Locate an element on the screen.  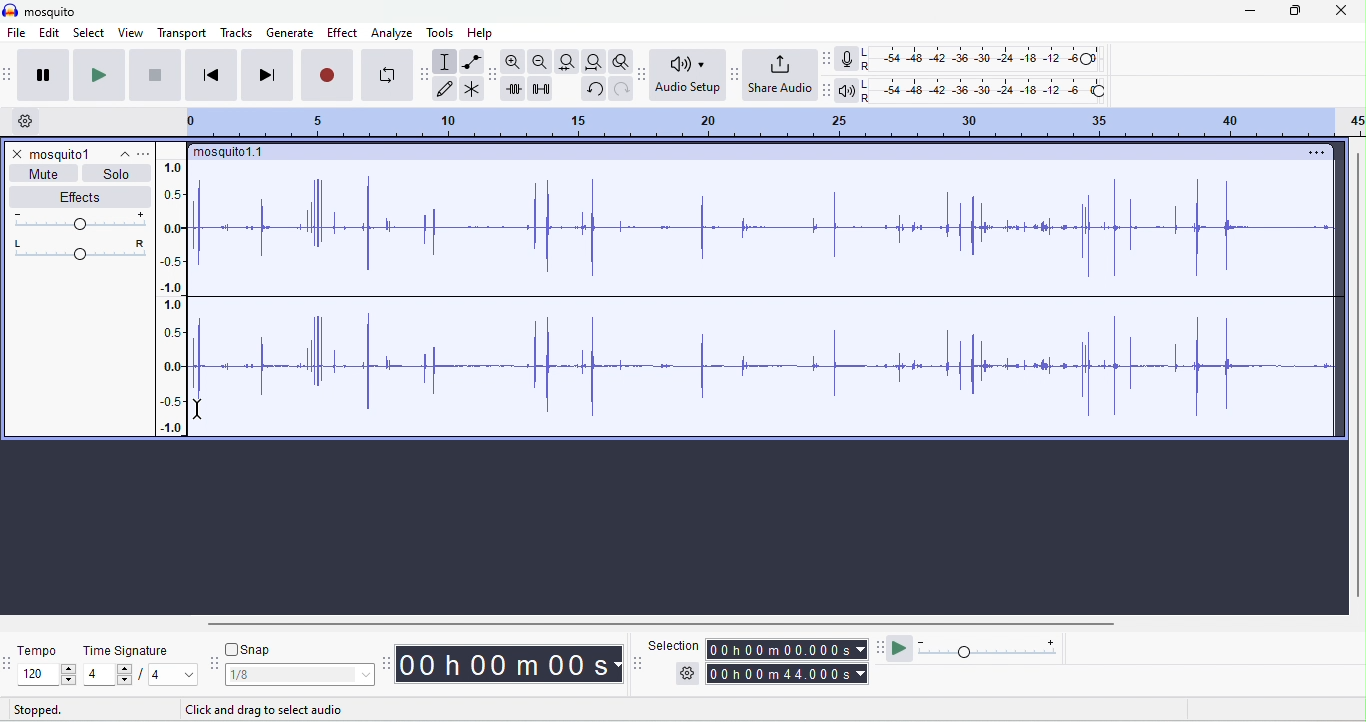
effect is located at coordinates (342, 34).